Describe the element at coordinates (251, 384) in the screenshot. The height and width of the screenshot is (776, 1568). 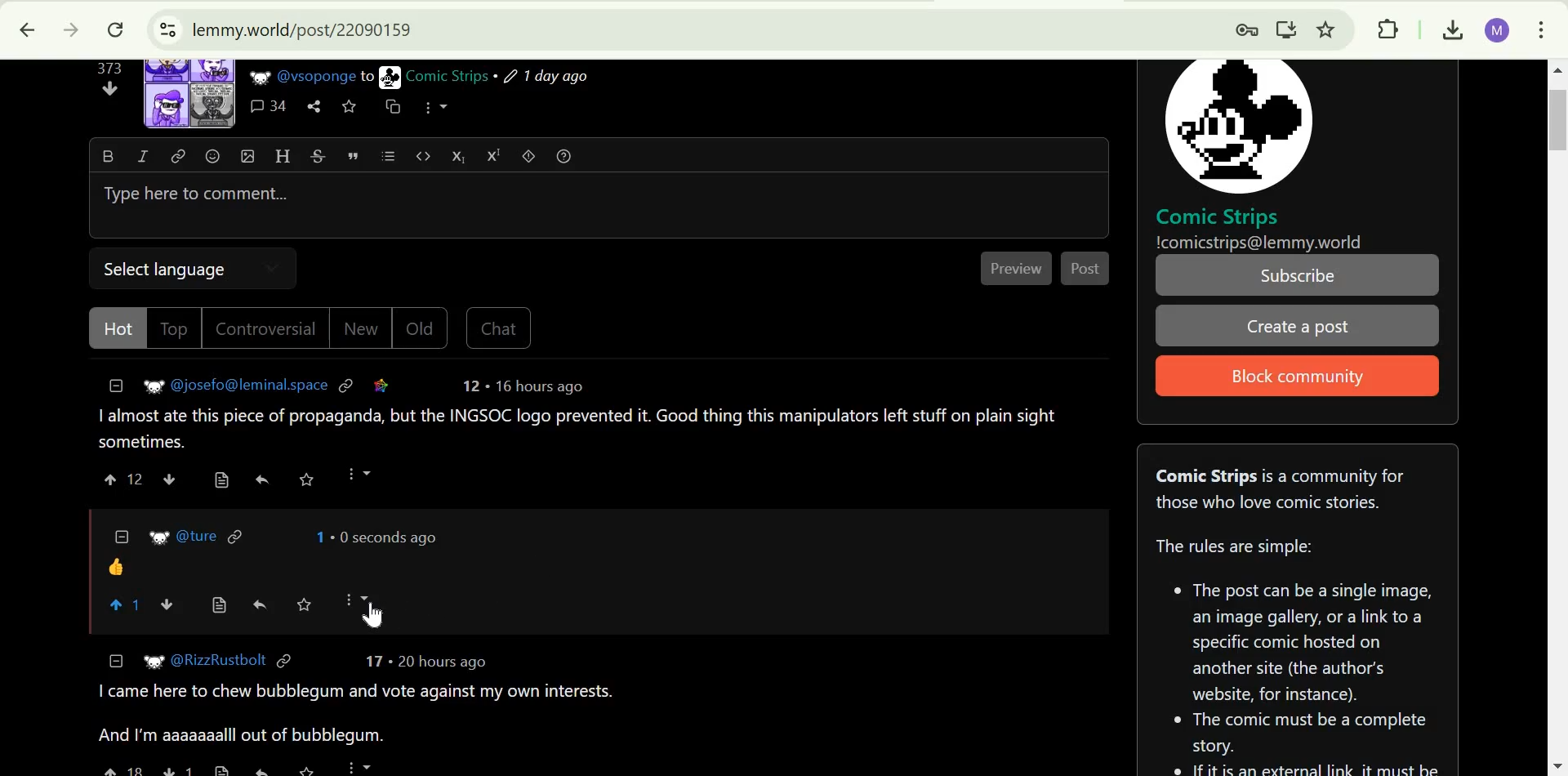
I see `user ID` at that location.